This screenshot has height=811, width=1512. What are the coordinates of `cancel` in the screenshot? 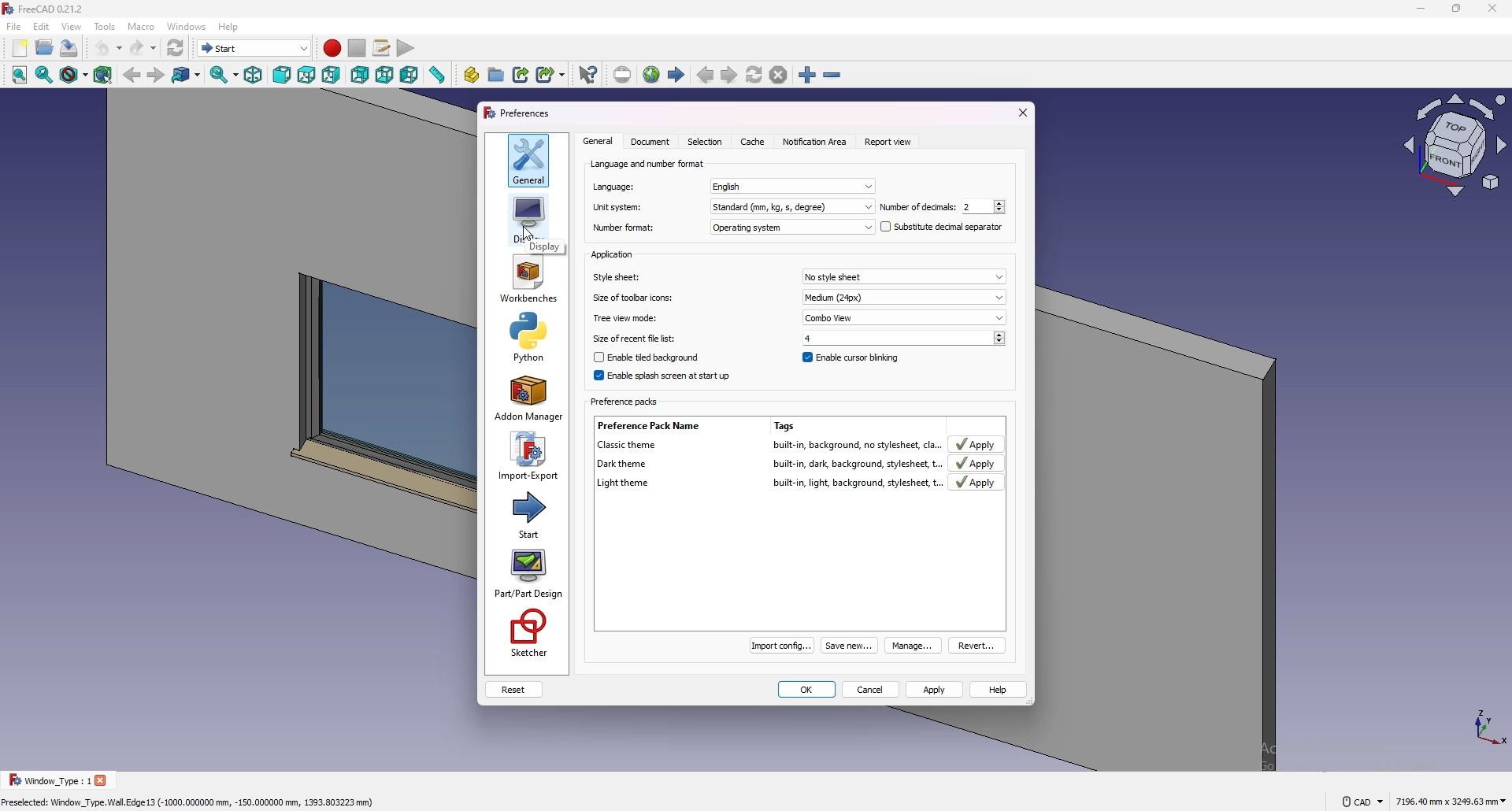 It's located at (872, 691).